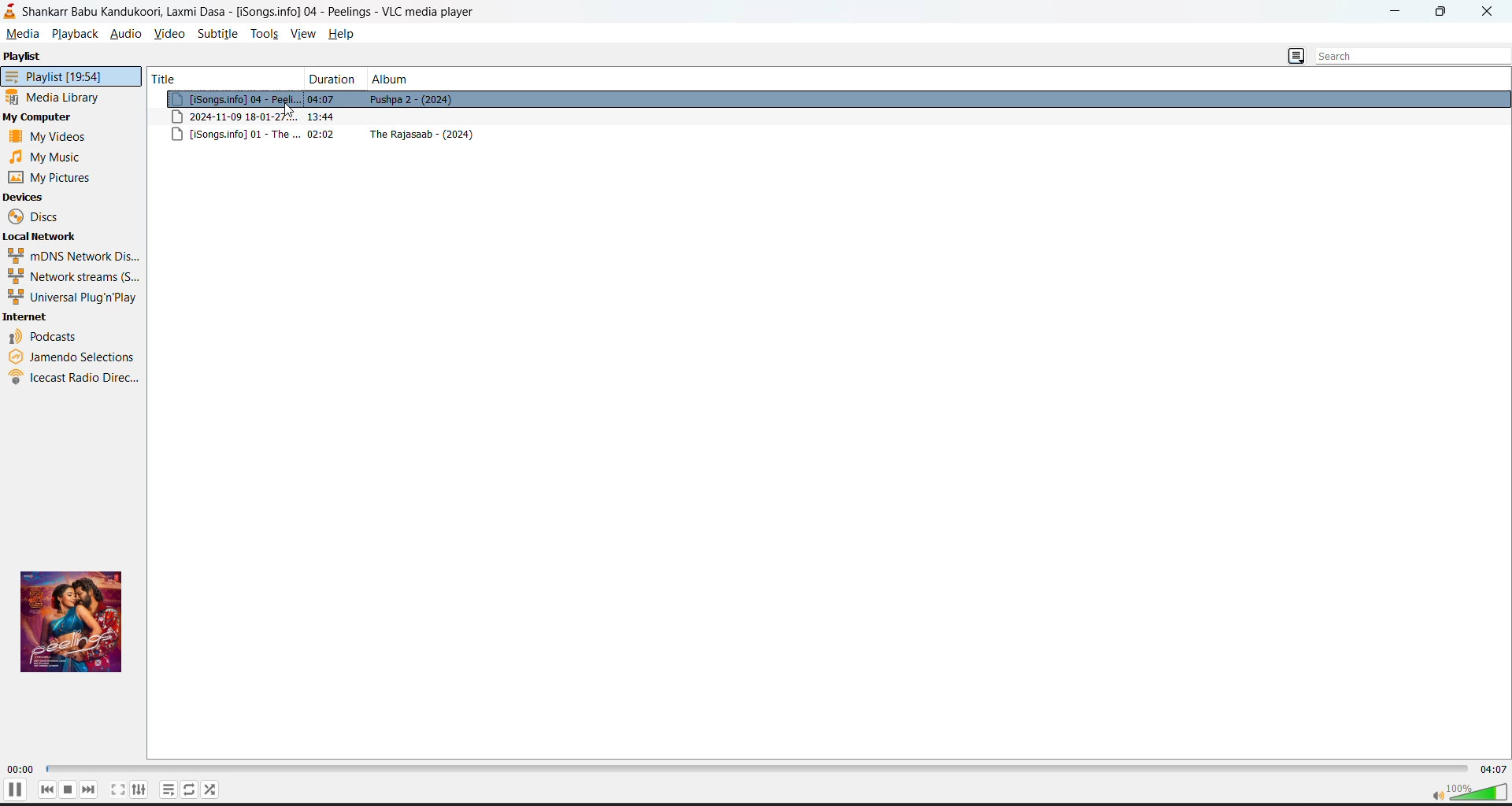 This screenshot has width=1512, height=806. Describe the element at coordinates (140, 790) in the screenshot. I see `settings` at that location.